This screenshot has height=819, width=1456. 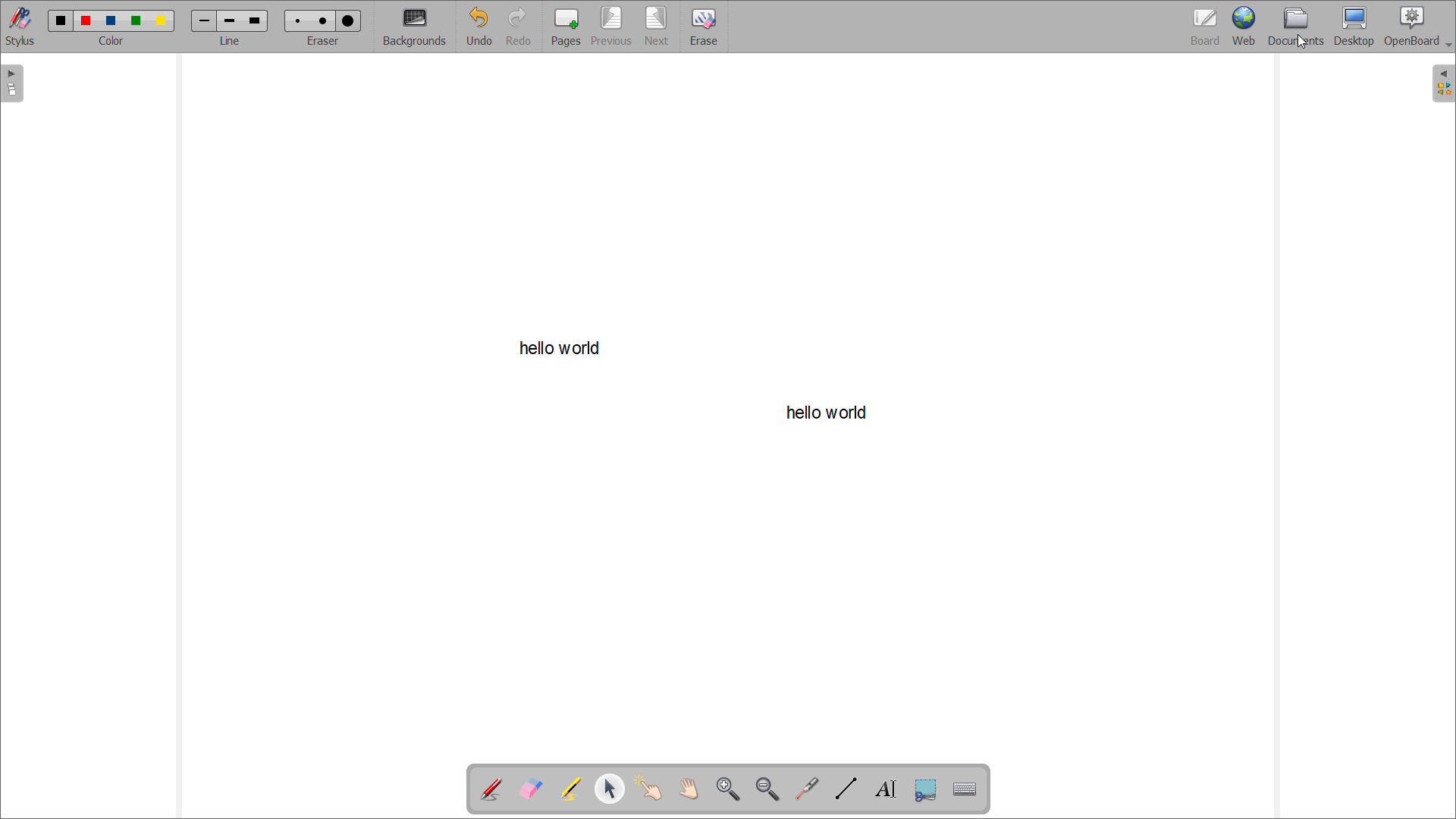 I want to click on virtual keyboard, so click(x=965, y=789).